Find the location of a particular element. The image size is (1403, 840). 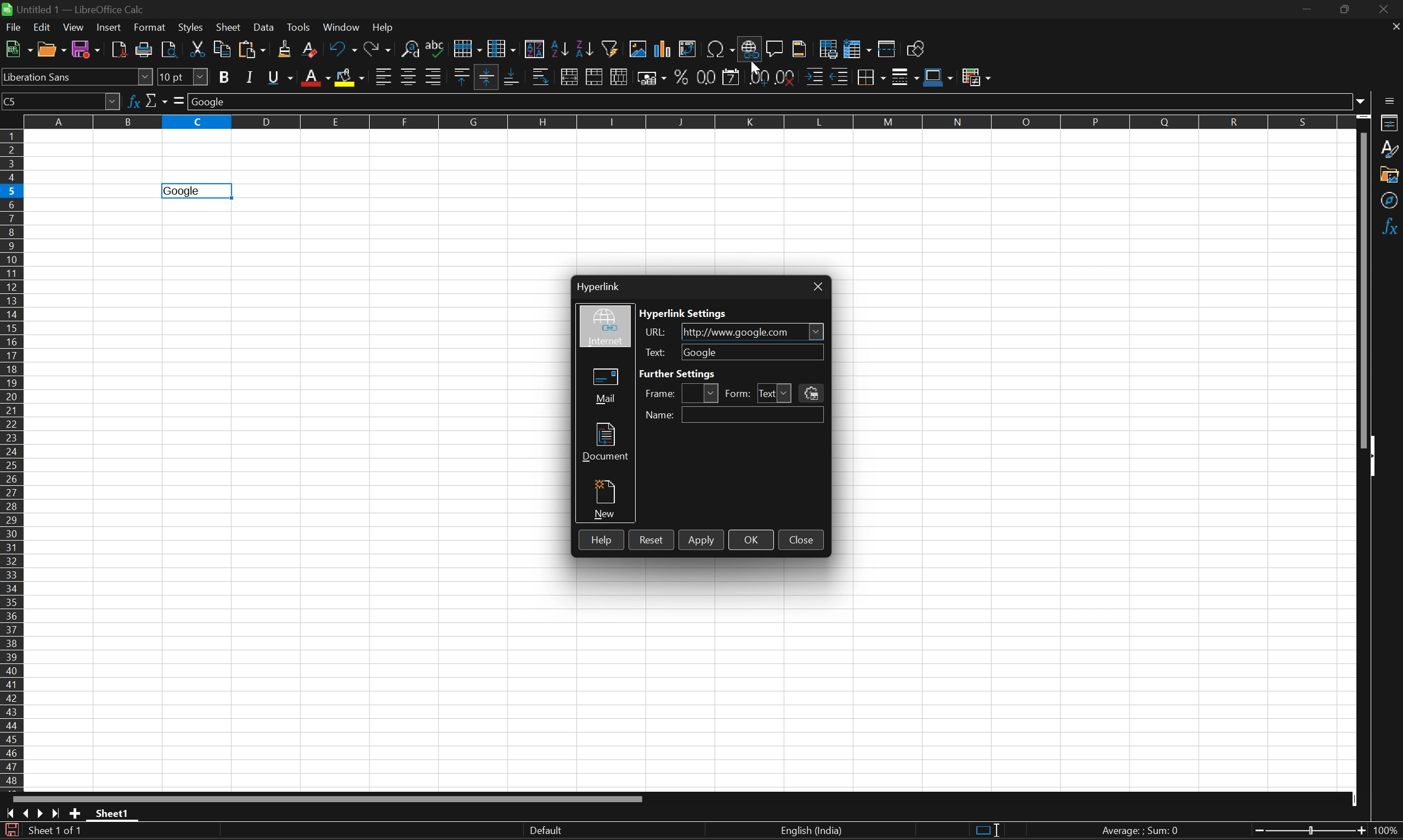

Sheet 1 of 1 is located at coordinates (57, 832).